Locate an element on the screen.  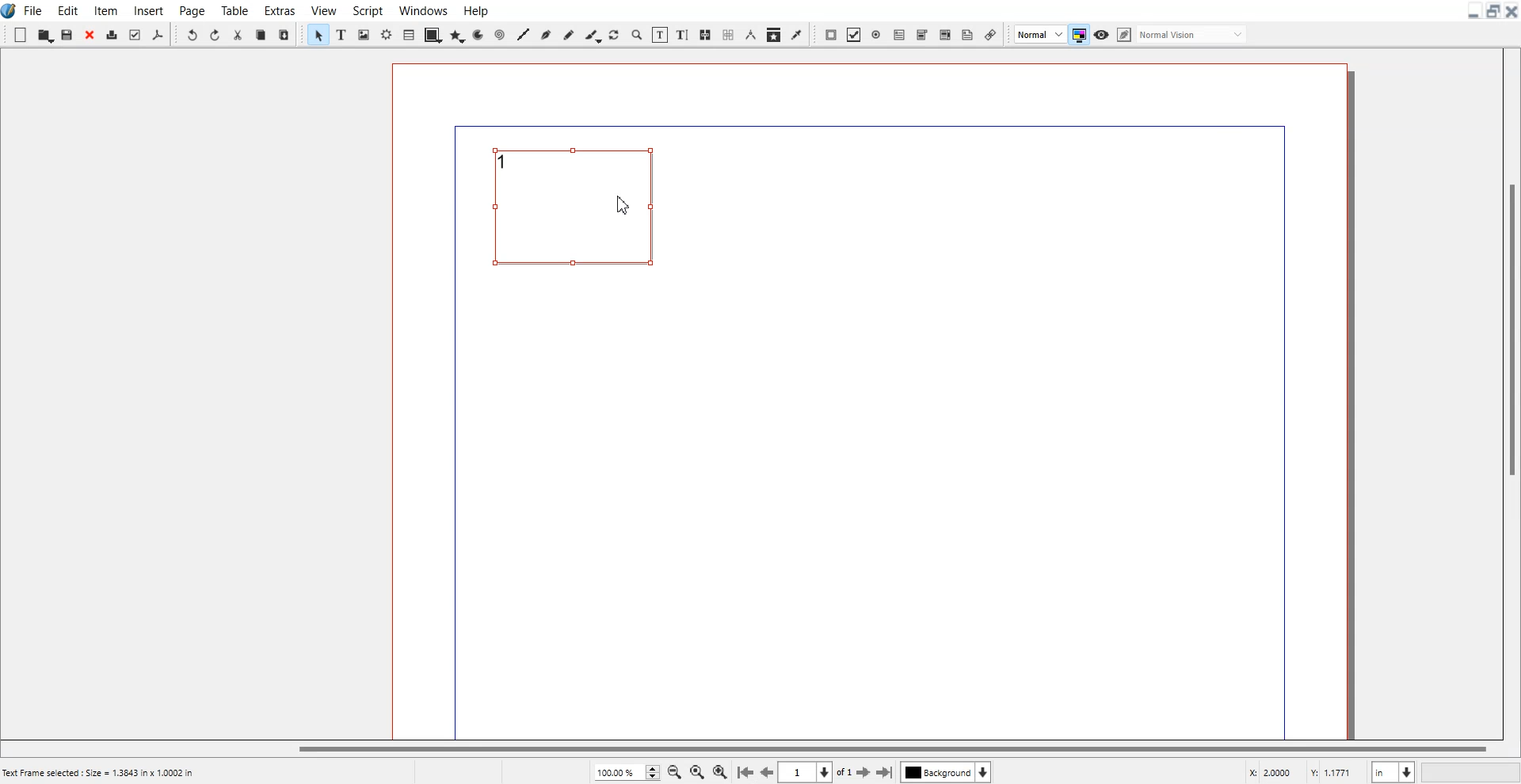
New is located at coordinates (20, 35).